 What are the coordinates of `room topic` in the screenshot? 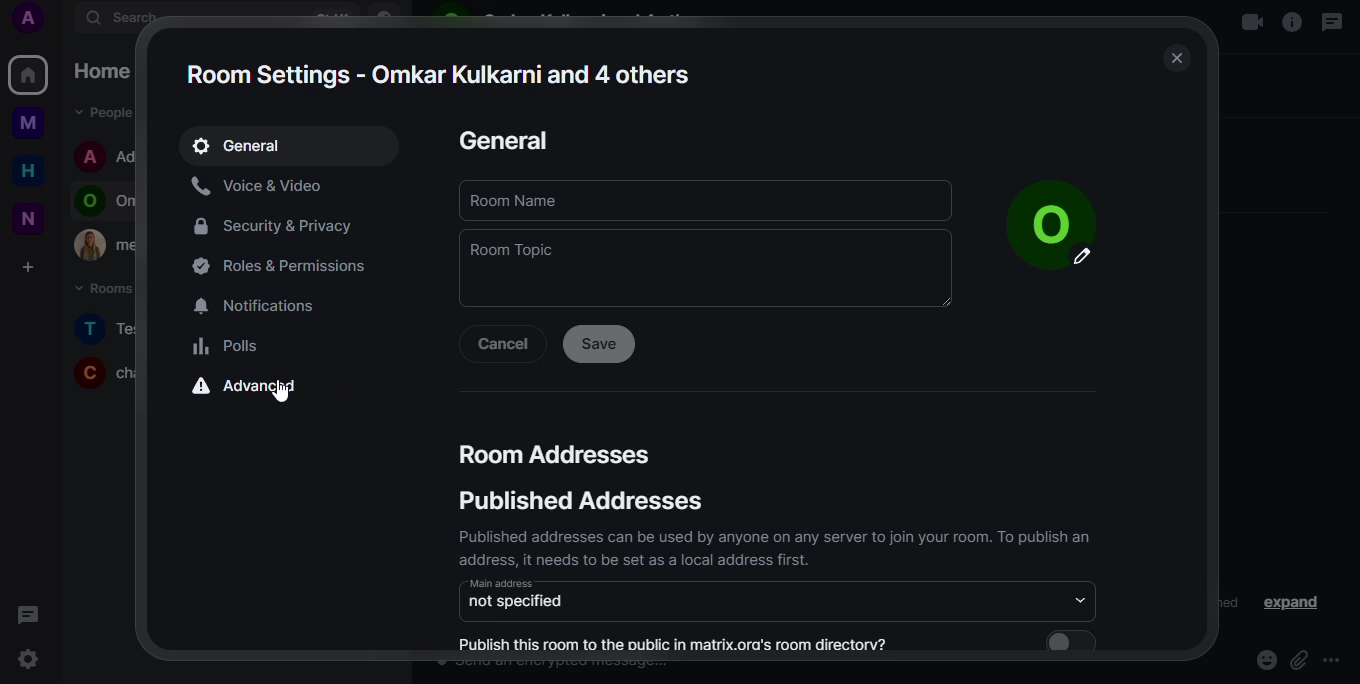 It's located at (545, 253).